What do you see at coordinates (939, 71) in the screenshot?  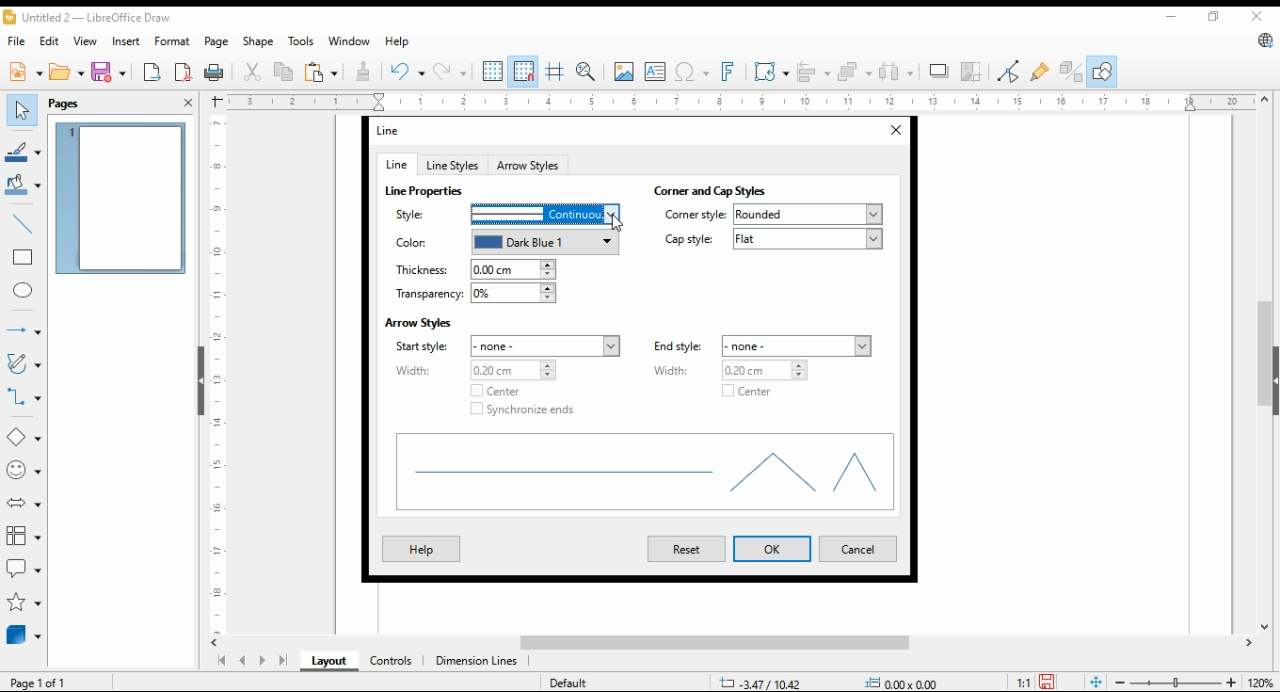 I see `shadow` at bounding box center [939, 71].